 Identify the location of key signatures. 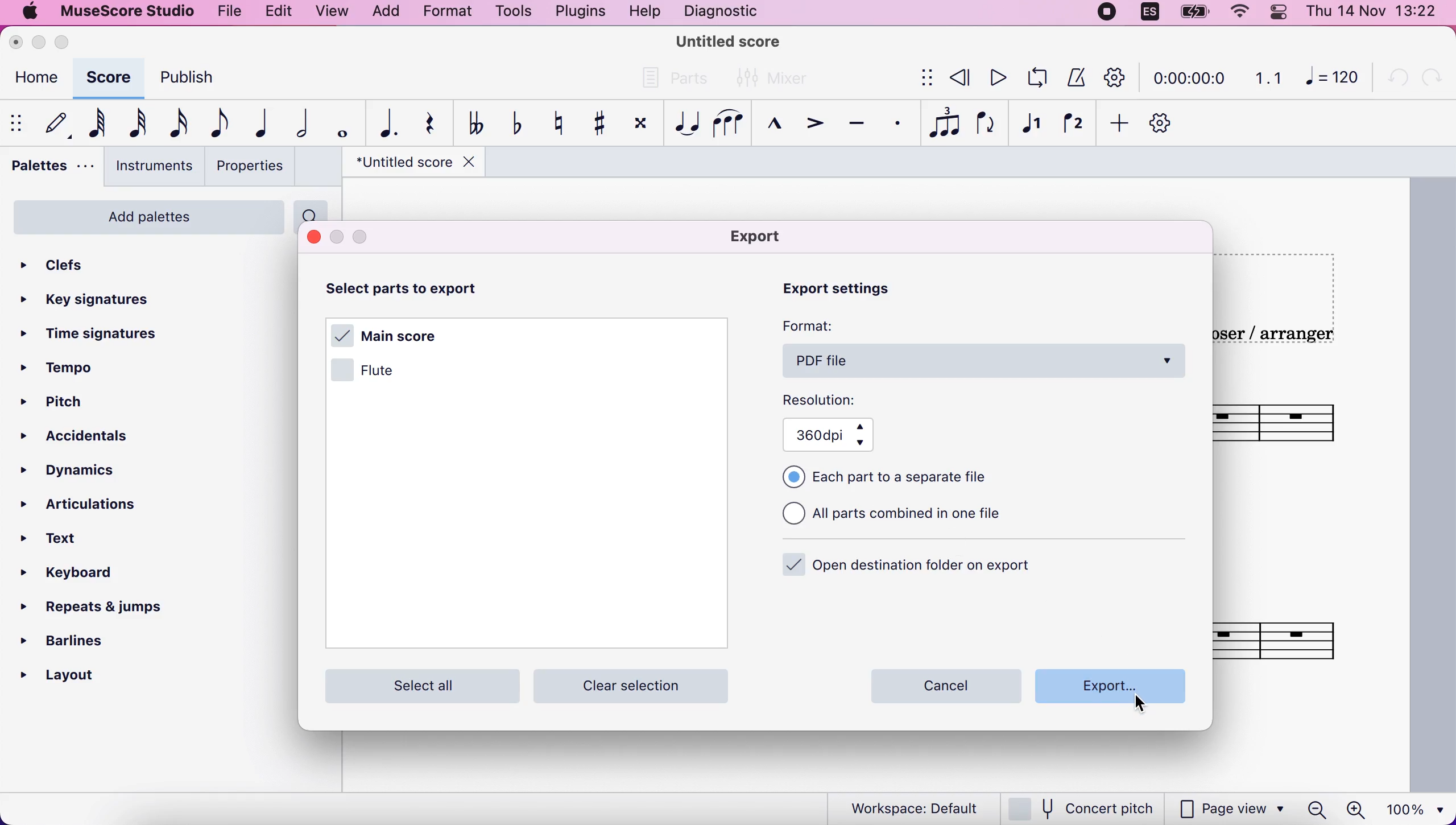
(94, 301).